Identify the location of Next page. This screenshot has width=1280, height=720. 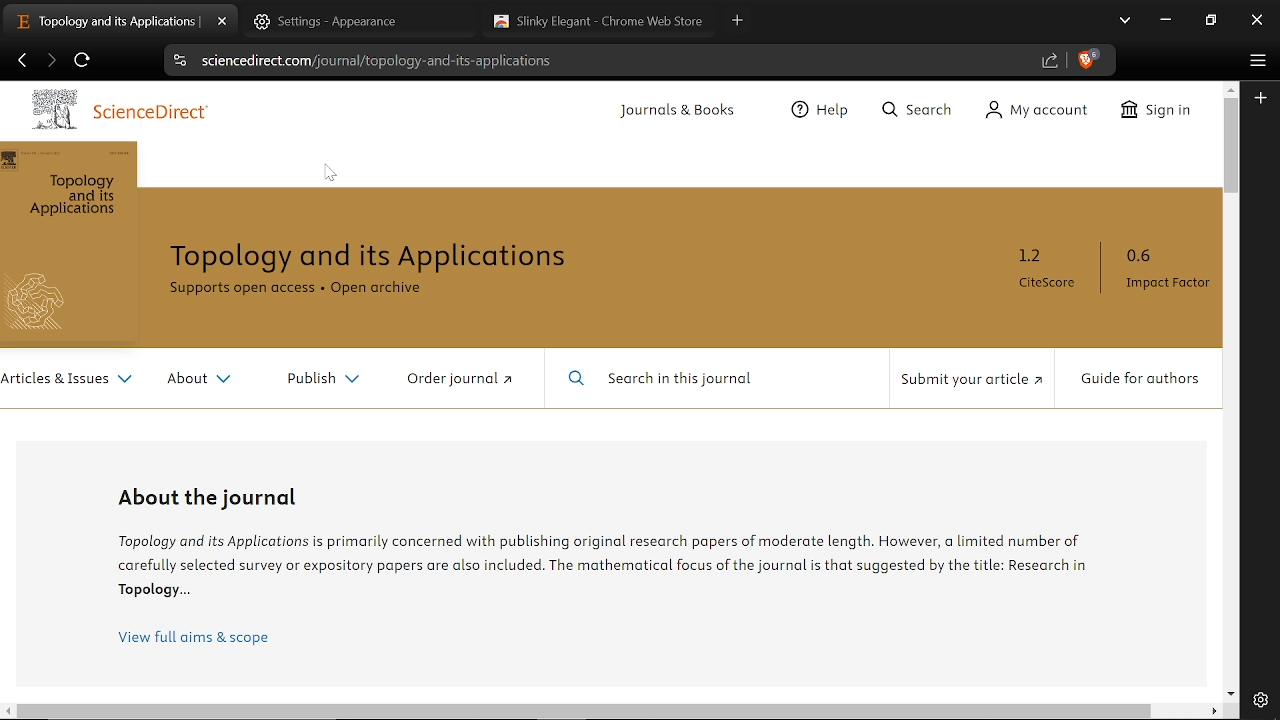
(51, 62).